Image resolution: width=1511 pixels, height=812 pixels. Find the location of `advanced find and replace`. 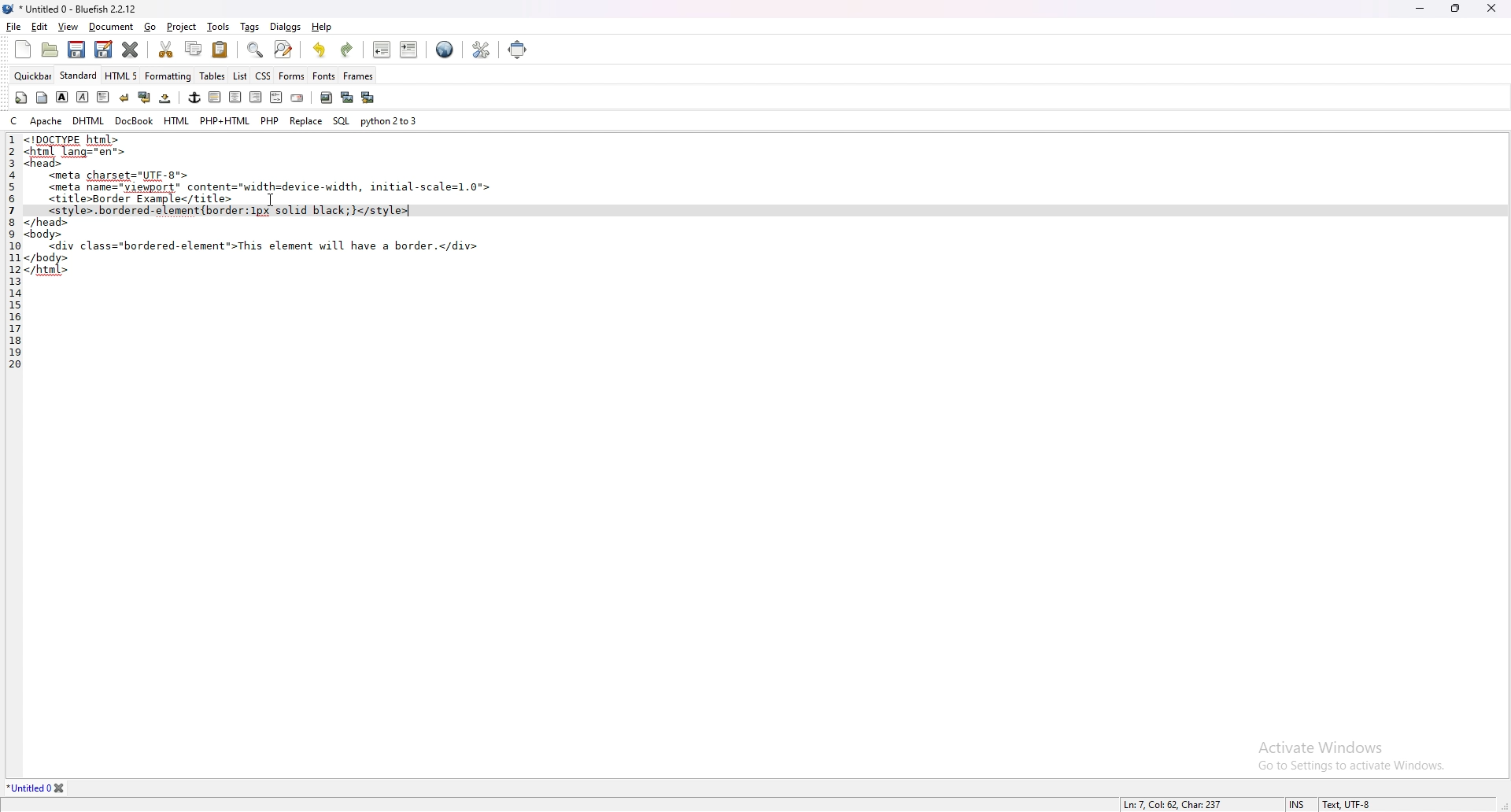

advanced find and replace is located at coordinates (285, 49).